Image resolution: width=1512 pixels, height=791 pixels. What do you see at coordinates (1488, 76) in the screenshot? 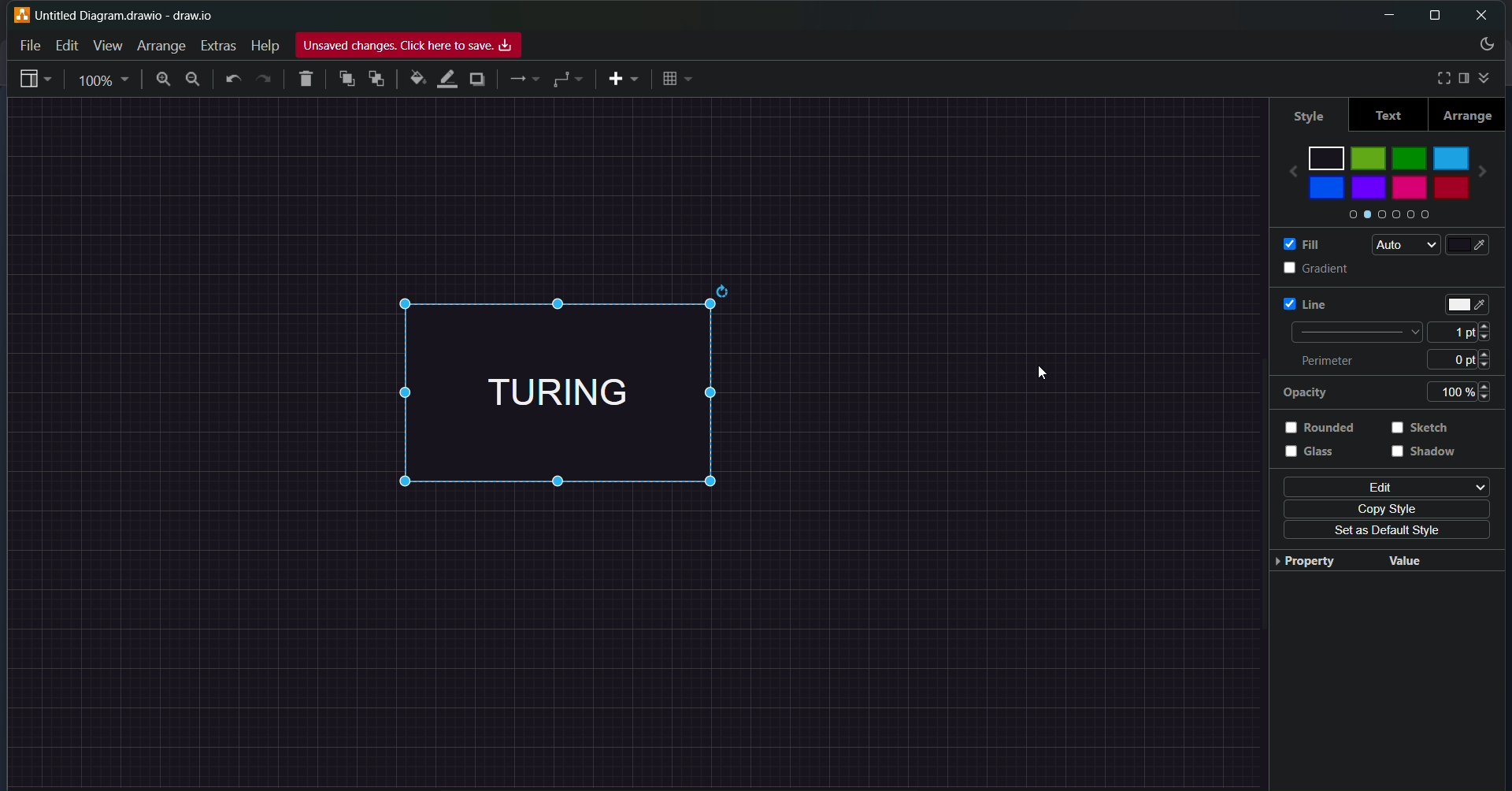
I see `expand/collapse` at bounding box center [1488, 76].